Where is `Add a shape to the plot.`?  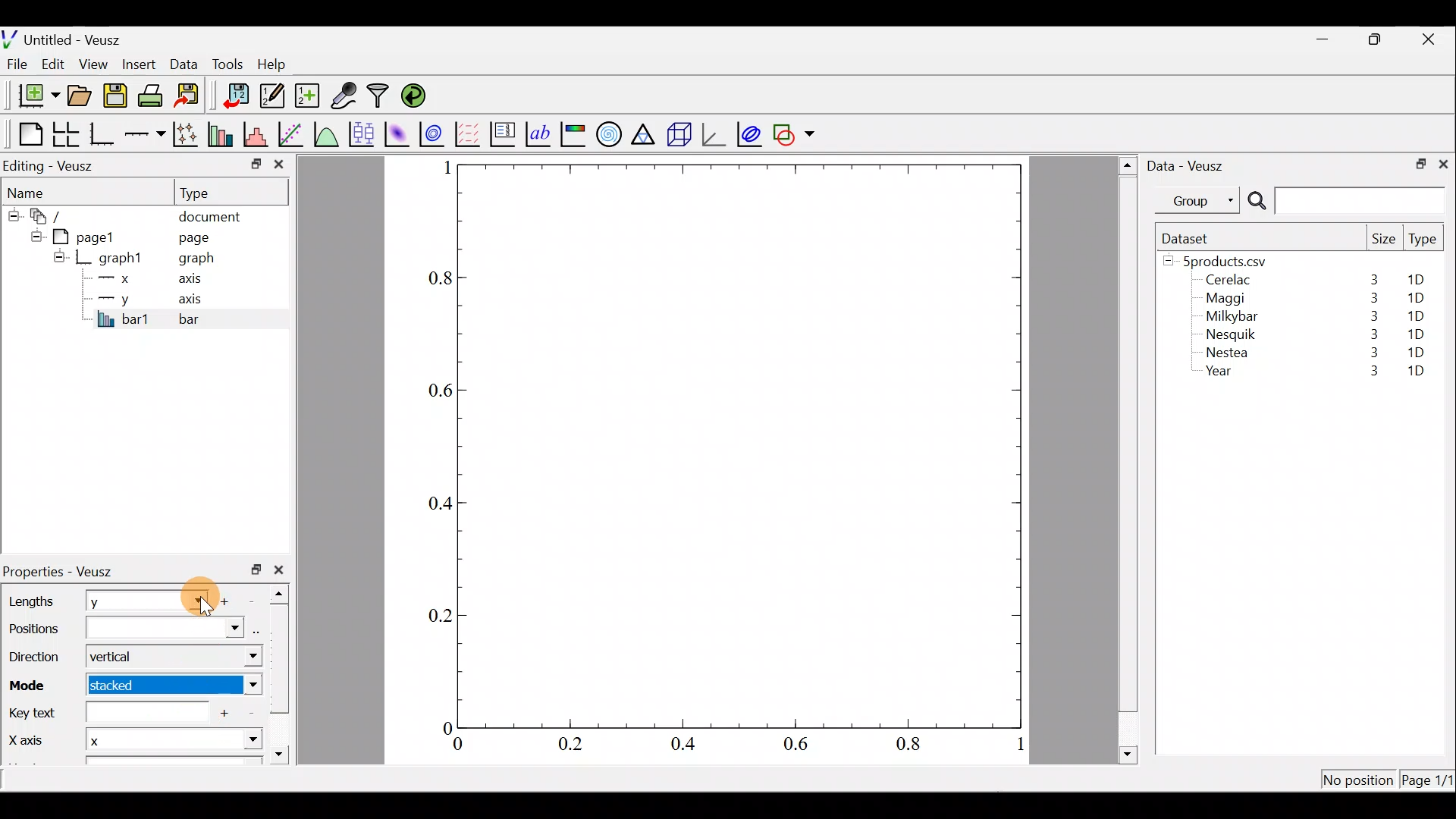
Add a shape to the plot. is located at coordinates (795, 132).